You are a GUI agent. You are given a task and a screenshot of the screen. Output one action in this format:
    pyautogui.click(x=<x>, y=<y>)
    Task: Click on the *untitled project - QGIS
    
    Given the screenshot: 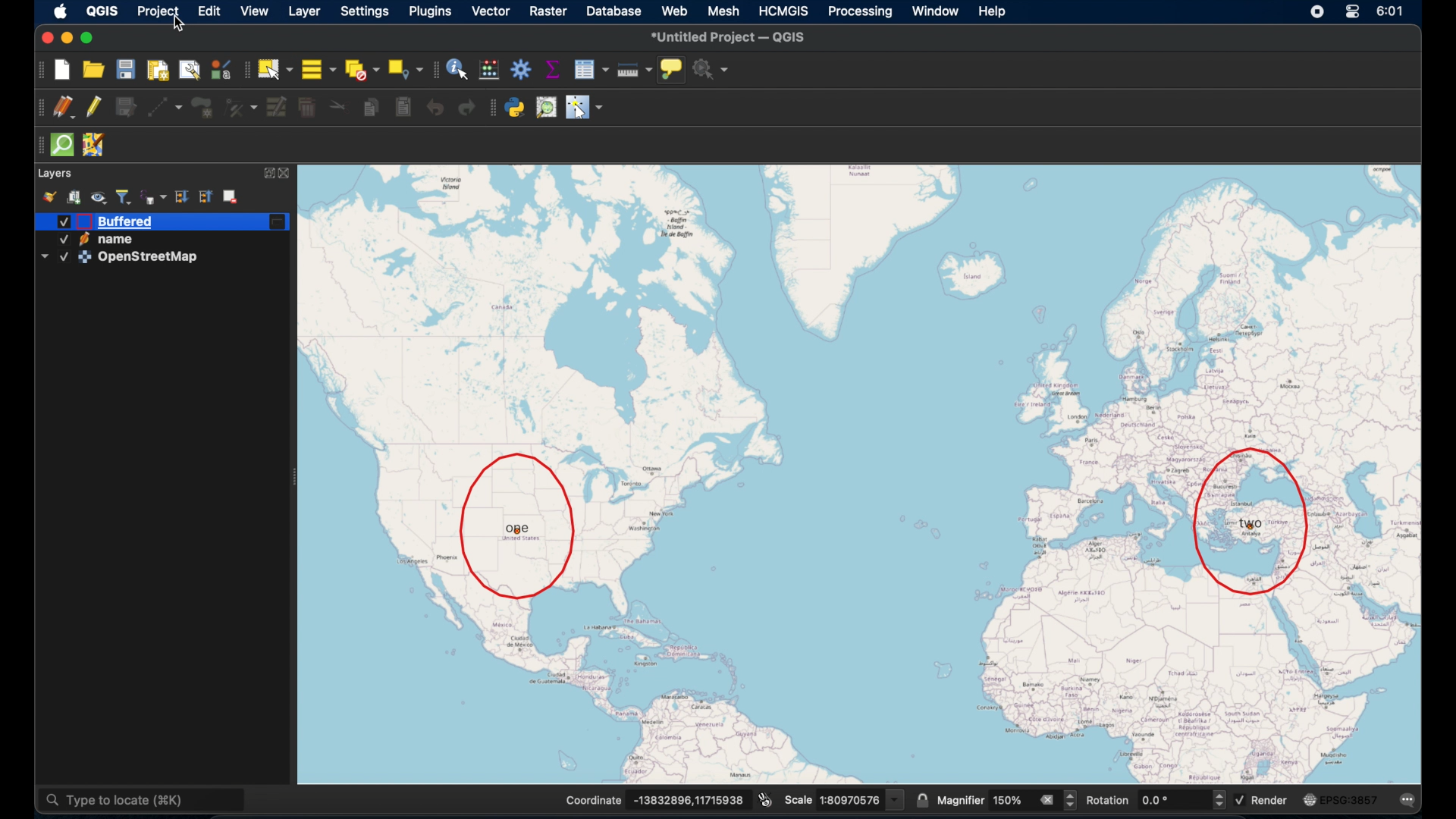 What is the action you would take?
    pyautogui.click(x=732, y=37)
    